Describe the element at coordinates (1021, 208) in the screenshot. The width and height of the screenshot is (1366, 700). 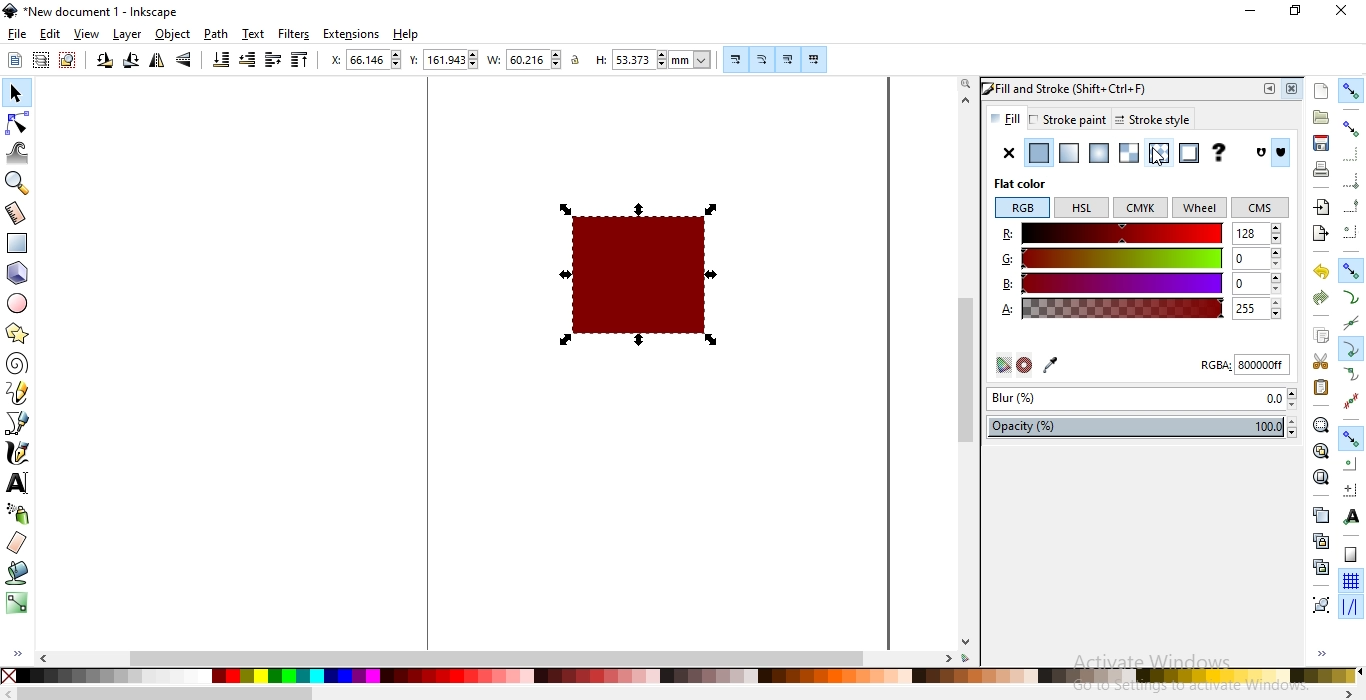
I see `RGB` at that location.